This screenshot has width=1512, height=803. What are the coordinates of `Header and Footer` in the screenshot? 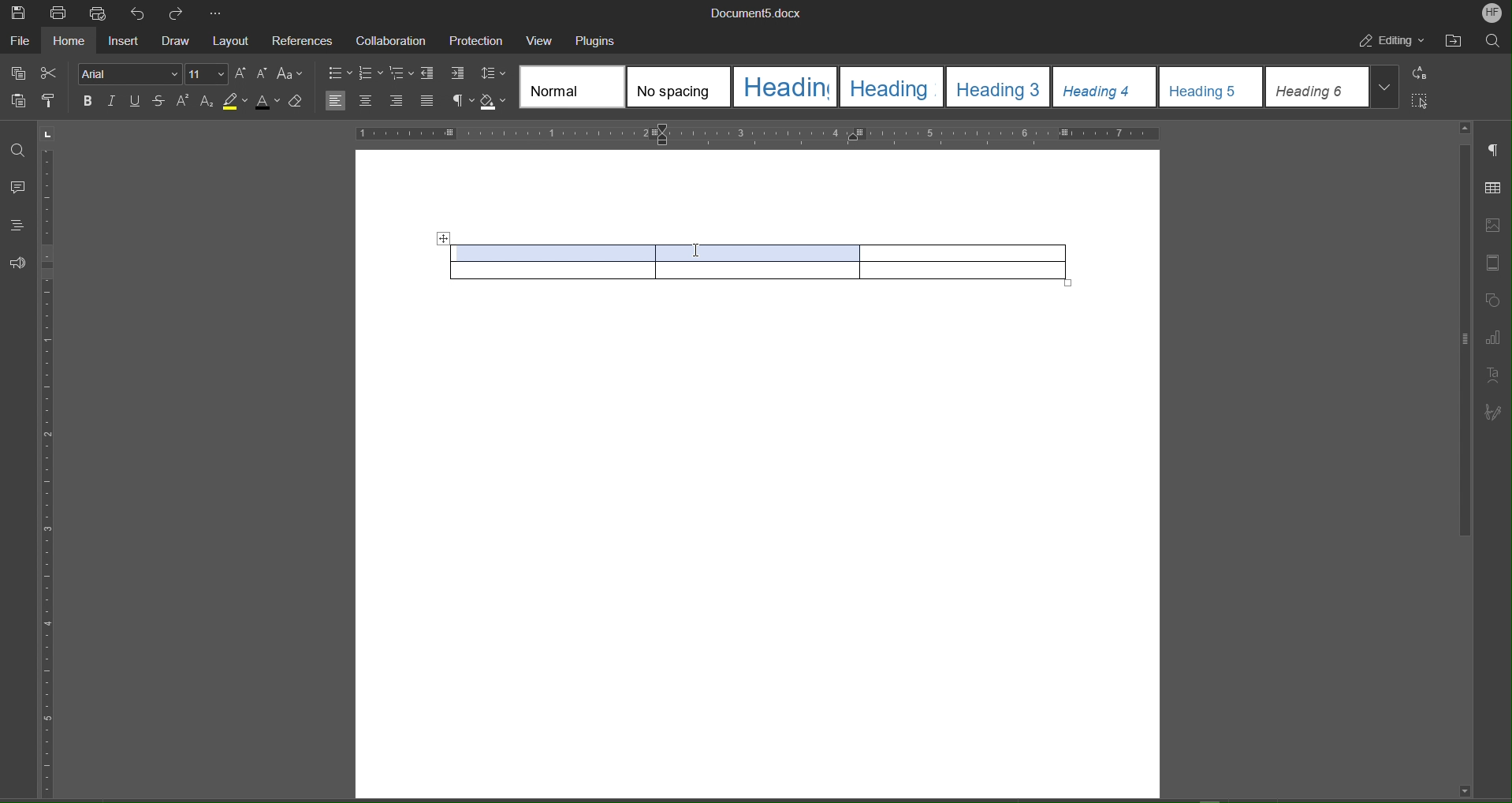 It's located at (1495, 263).